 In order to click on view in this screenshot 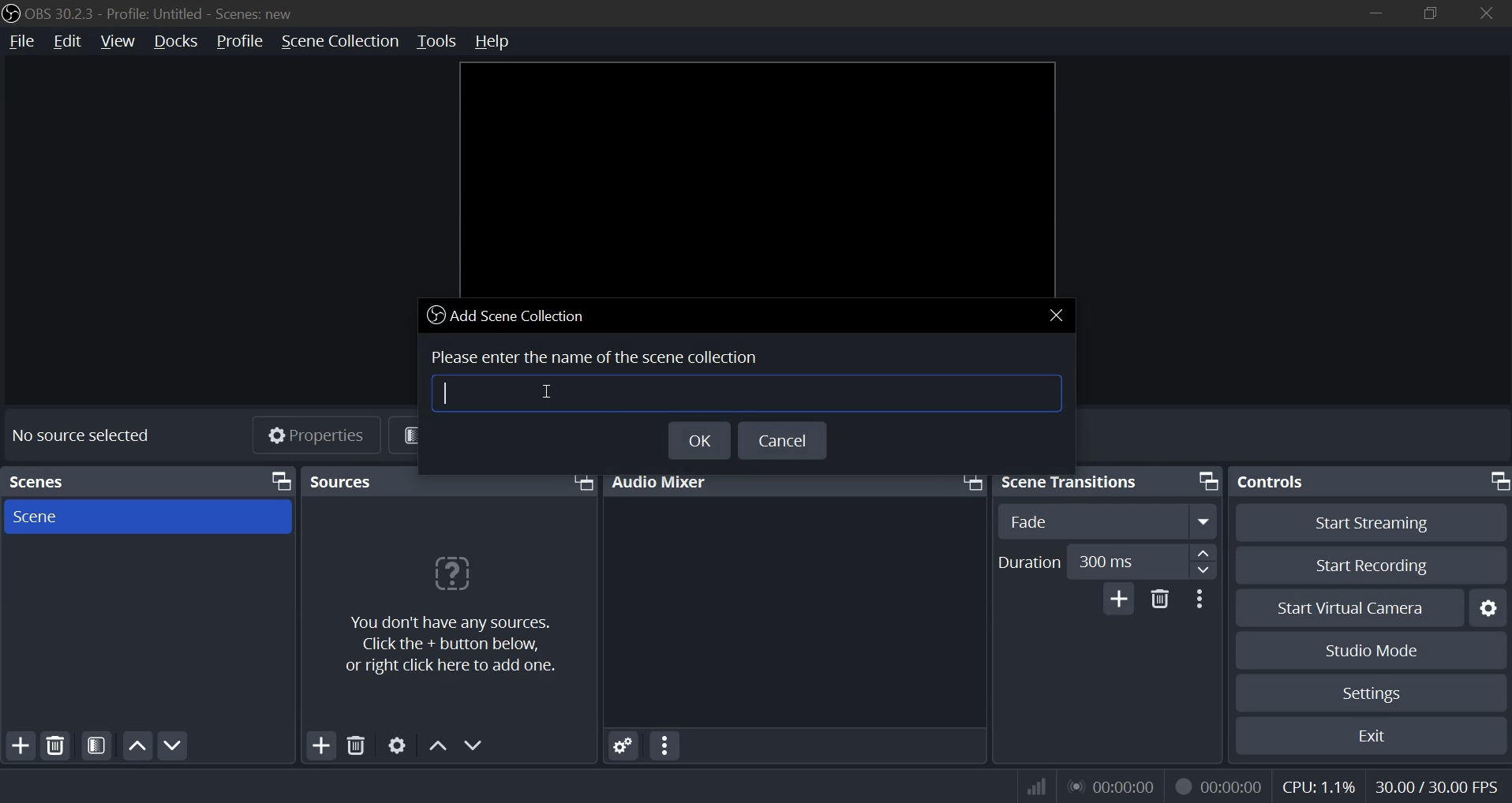, I will do `click(119, 42)`.